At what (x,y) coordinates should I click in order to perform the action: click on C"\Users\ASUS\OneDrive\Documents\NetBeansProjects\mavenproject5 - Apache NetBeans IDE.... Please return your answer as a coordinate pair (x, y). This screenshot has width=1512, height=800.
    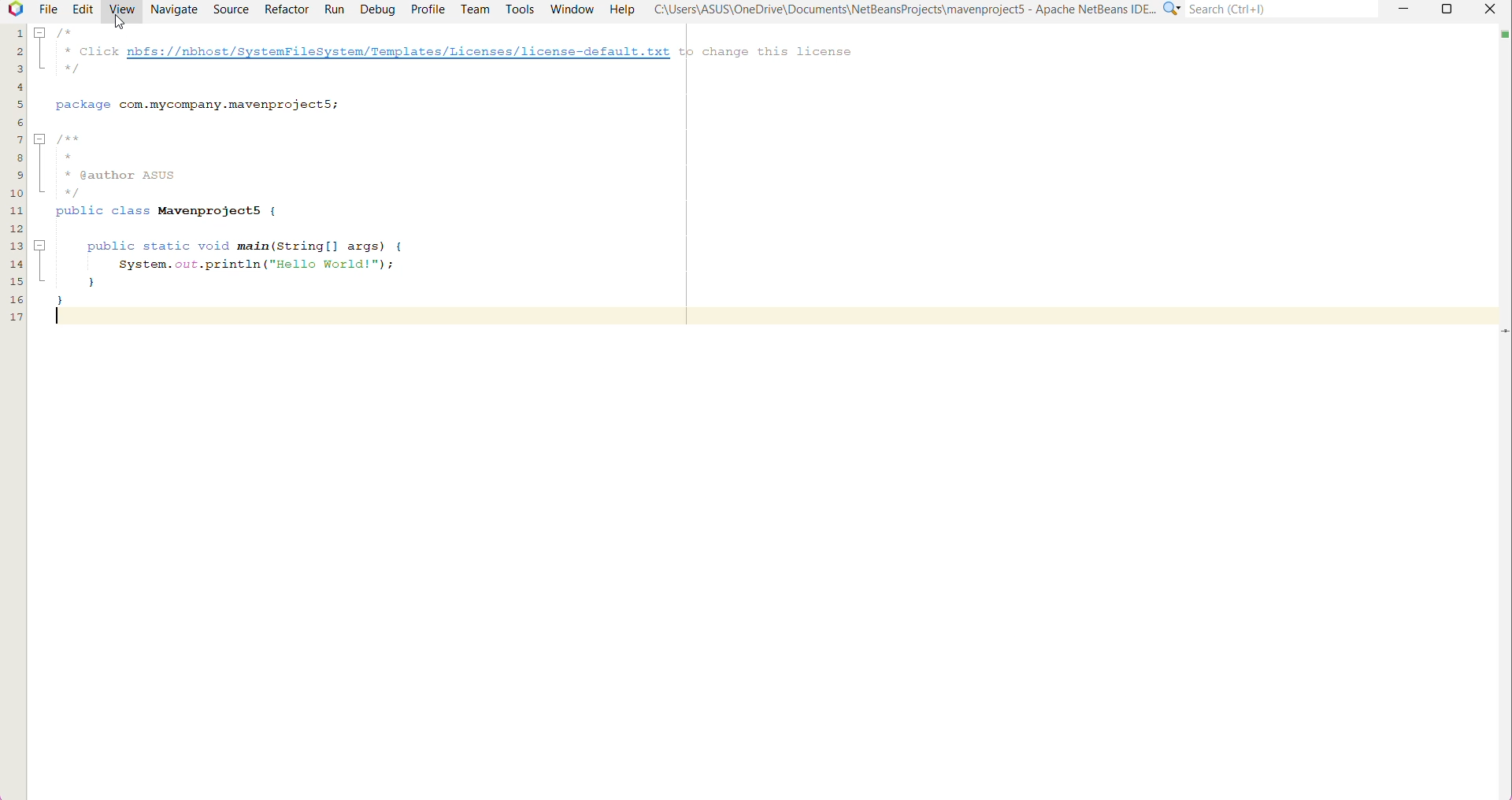
    Looking at the image, I should click on (900, 10).